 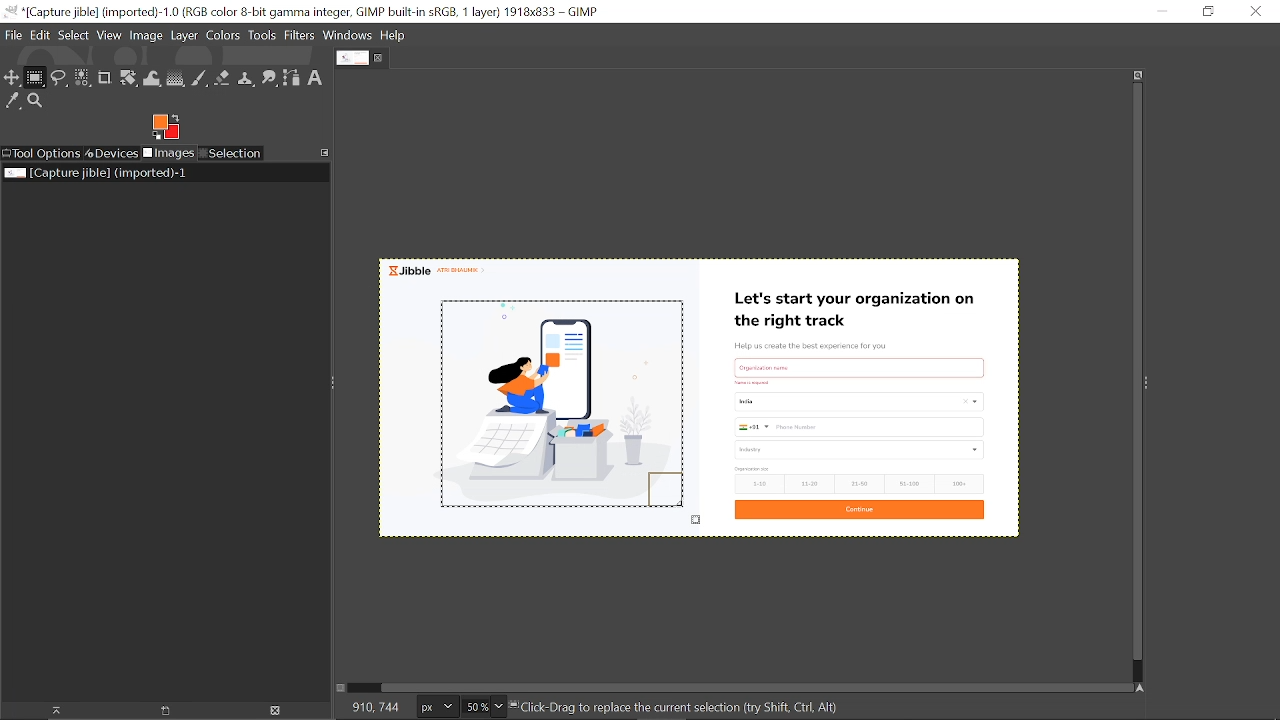 What do you see at coordinates (223, 79) in the screenshot?
I see `Eraser` at bounding box center [223, 79].